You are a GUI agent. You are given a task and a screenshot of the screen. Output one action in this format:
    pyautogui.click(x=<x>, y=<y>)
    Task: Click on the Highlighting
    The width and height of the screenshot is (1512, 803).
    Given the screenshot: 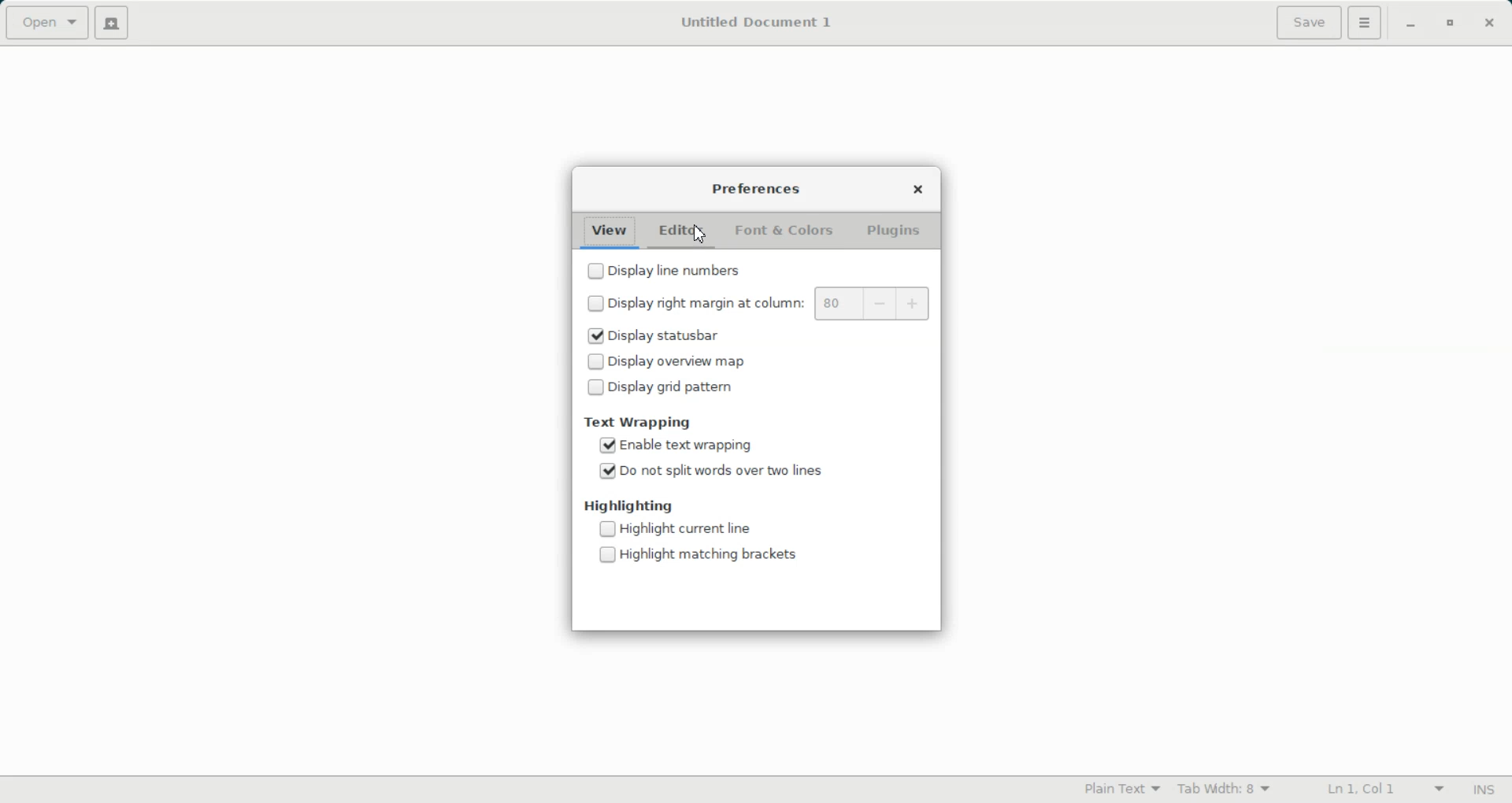 What is the action you would take?
    pyautogui.click(x=640, y=504)
    